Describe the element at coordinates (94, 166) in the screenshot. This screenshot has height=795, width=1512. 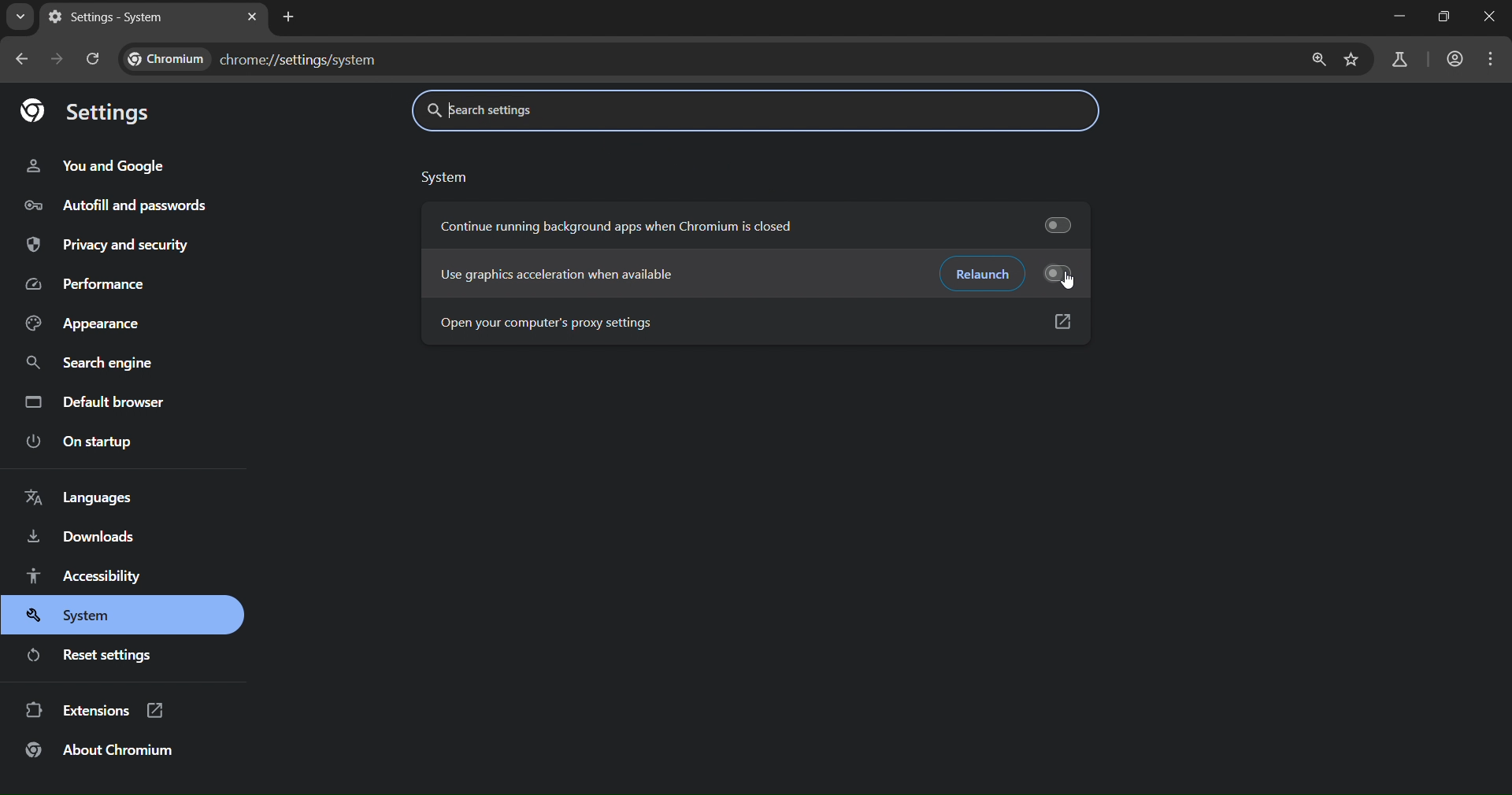
I see `you and google` at that location.